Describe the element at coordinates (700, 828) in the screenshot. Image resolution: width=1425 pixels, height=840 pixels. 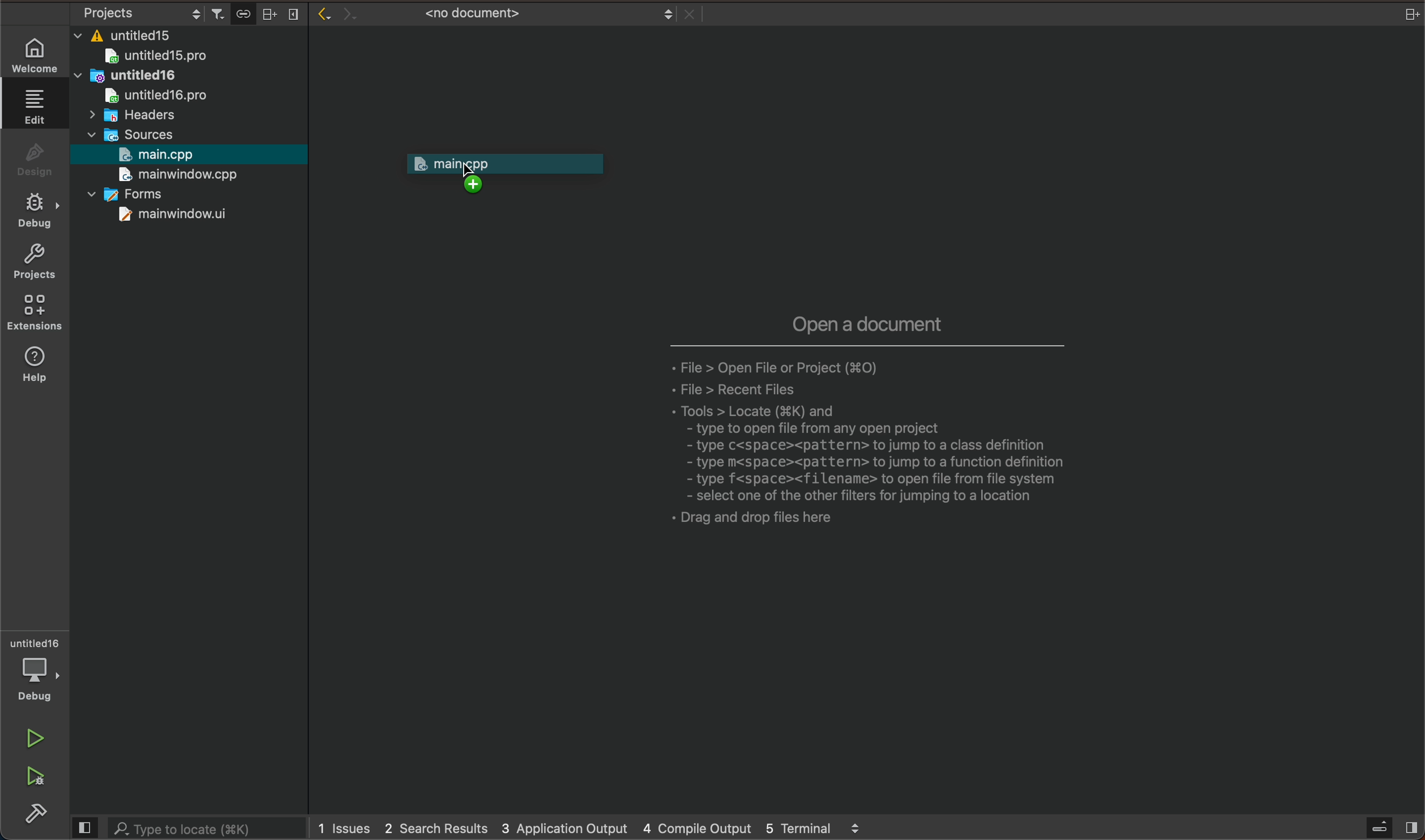
I see `4 compile output` at that location.